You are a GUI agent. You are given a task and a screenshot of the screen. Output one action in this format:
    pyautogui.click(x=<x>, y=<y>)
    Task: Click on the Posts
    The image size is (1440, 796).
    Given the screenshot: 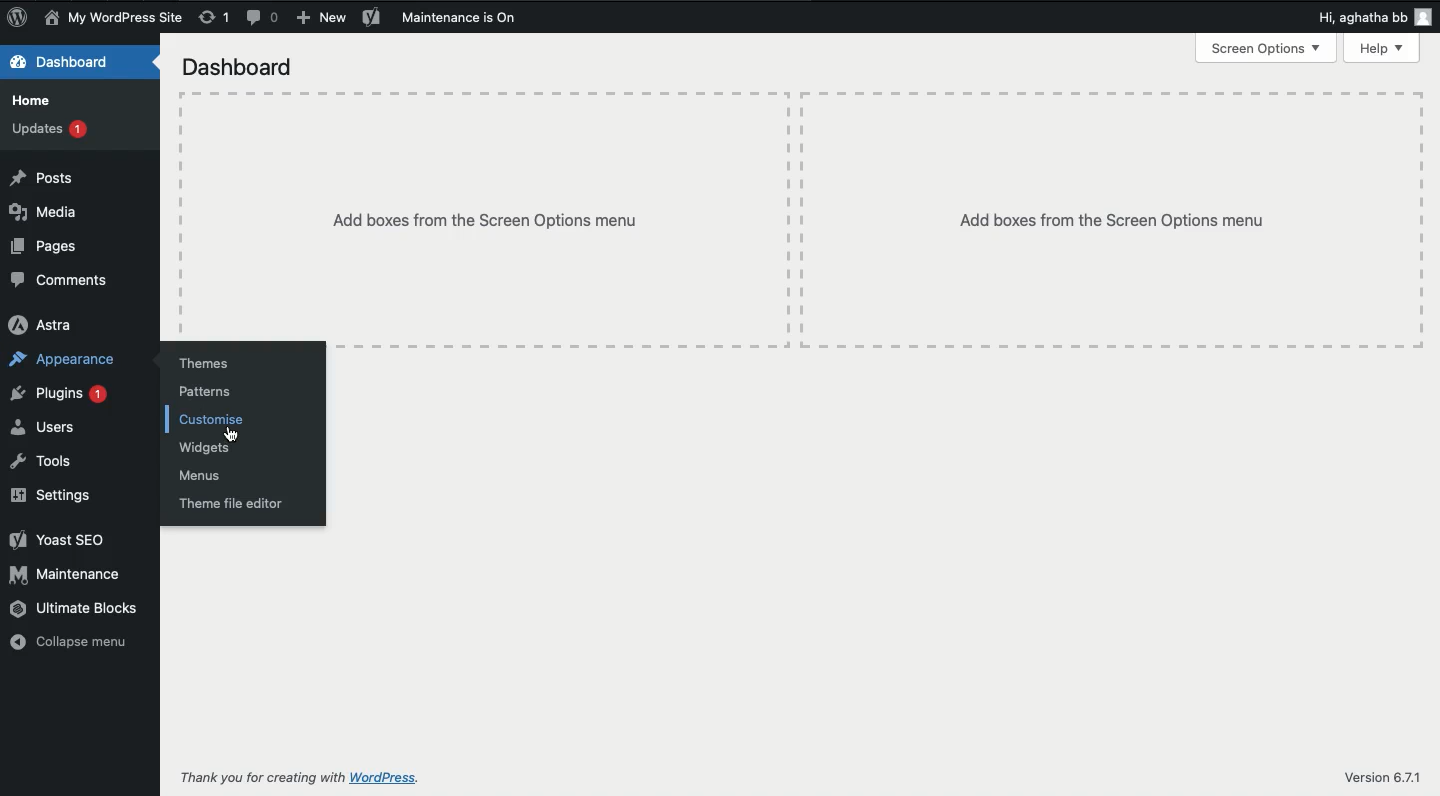 What is the action you would take?
    pyautogui.click(x=45, y=178)
    